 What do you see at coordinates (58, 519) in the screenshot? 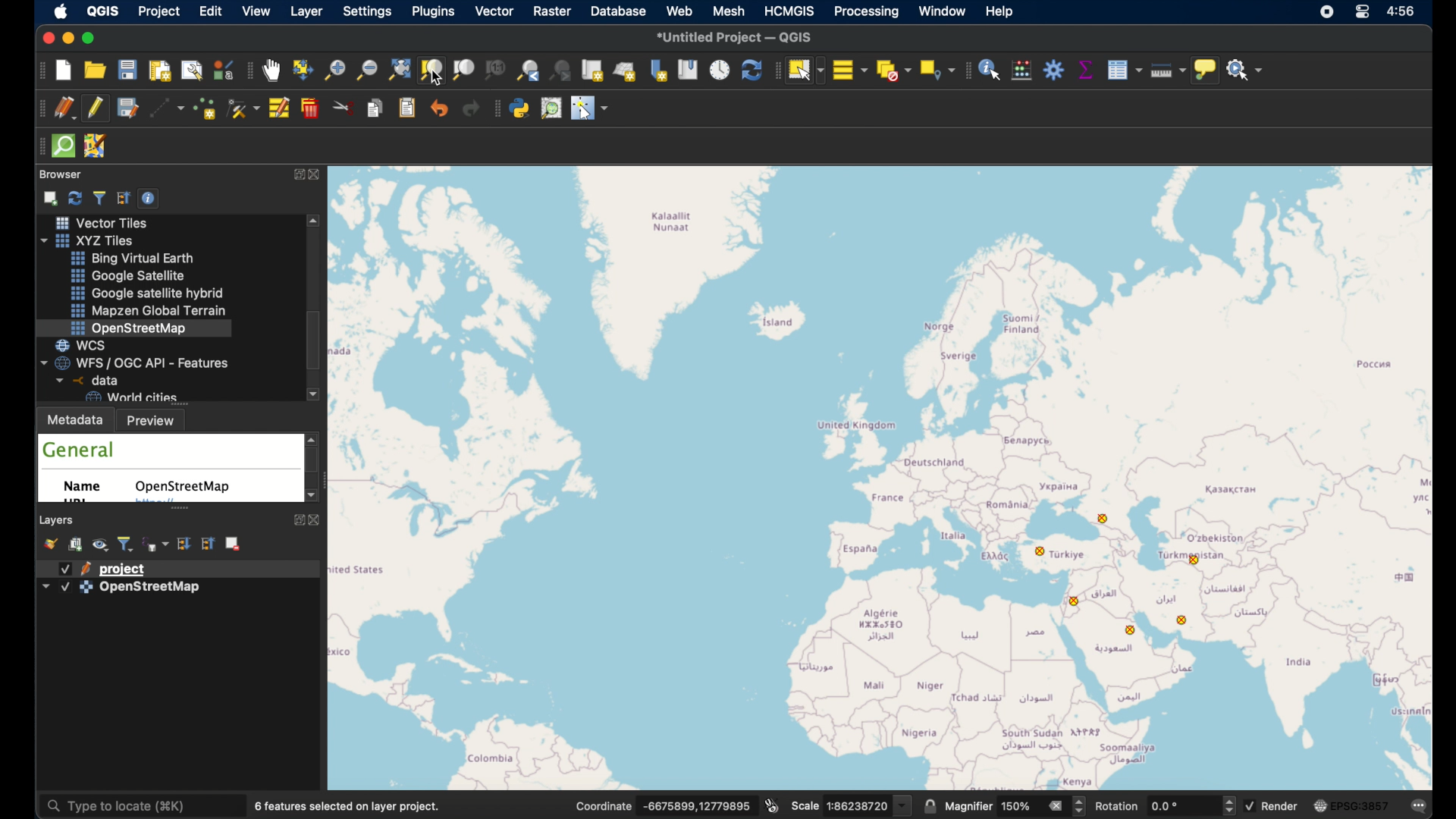
I see `layers` at bounding box center [58, 519].